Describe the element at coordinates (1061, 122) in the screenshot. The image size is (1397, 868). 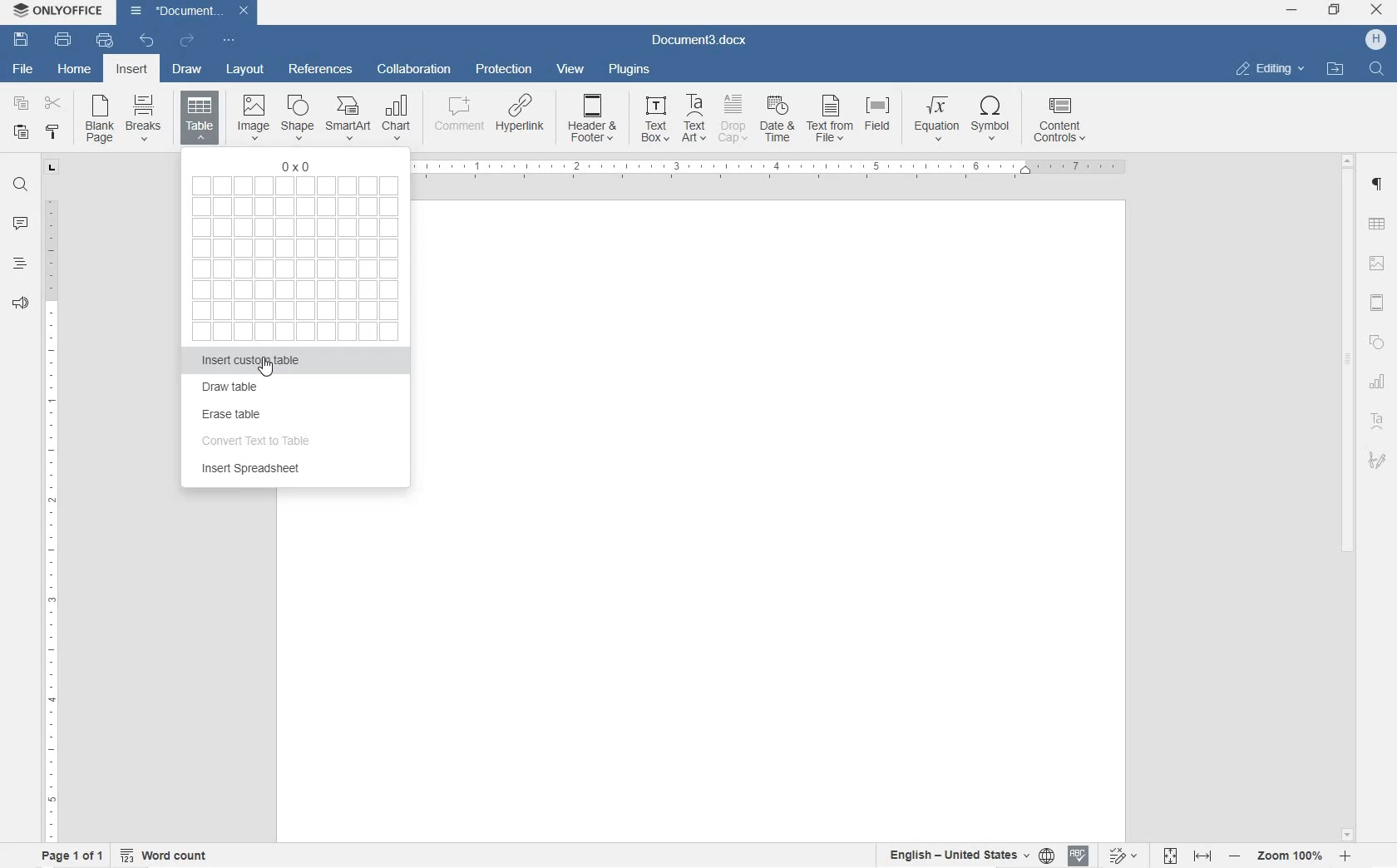
I see `CONTENT CONTROLS` at that location.